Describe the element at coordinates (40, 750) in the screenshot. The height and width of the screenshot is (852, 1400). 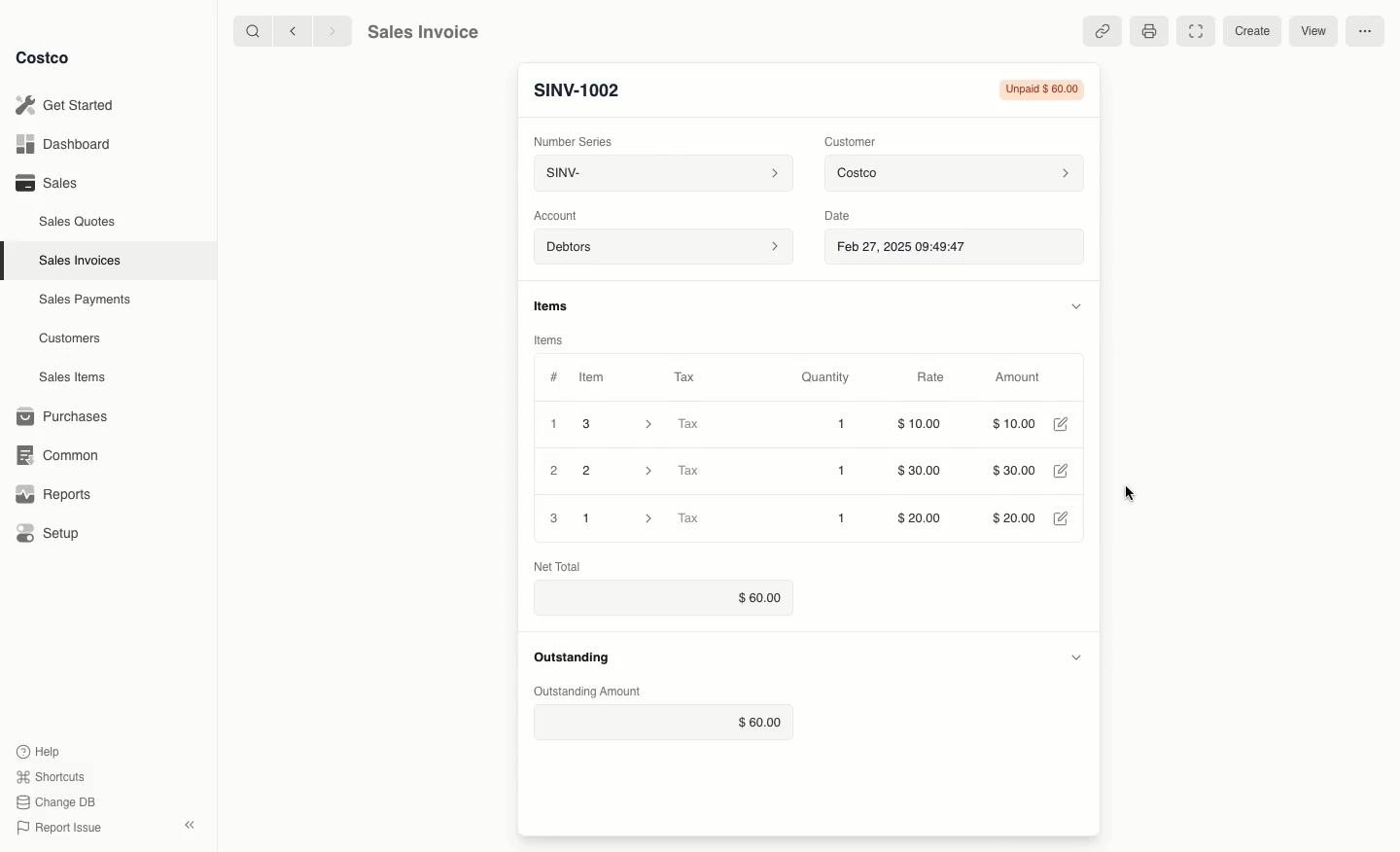
I see `Help` at that location.